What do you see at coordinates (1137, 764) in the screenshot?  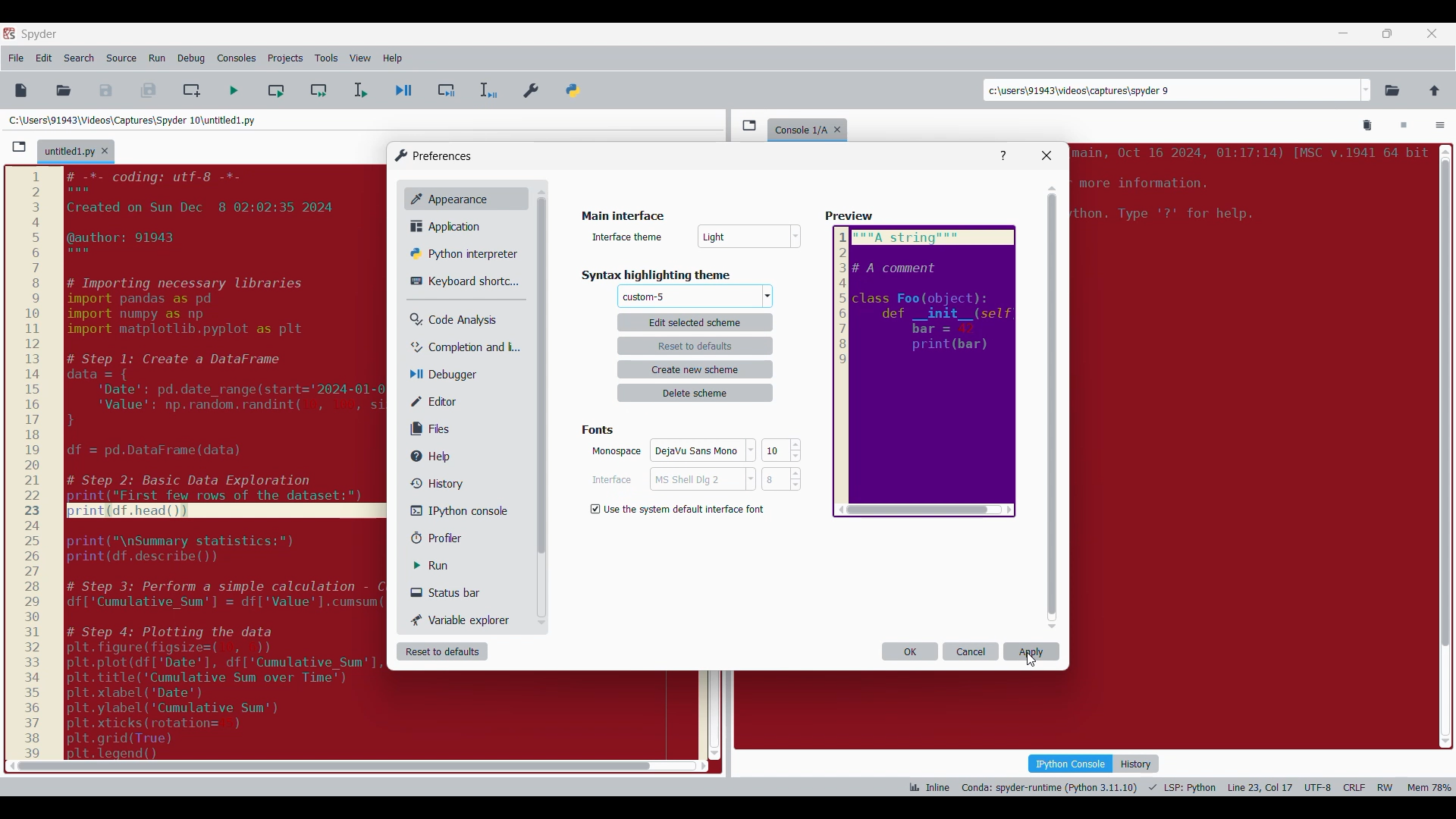 I see `History` at bounding box center [1137, 764].